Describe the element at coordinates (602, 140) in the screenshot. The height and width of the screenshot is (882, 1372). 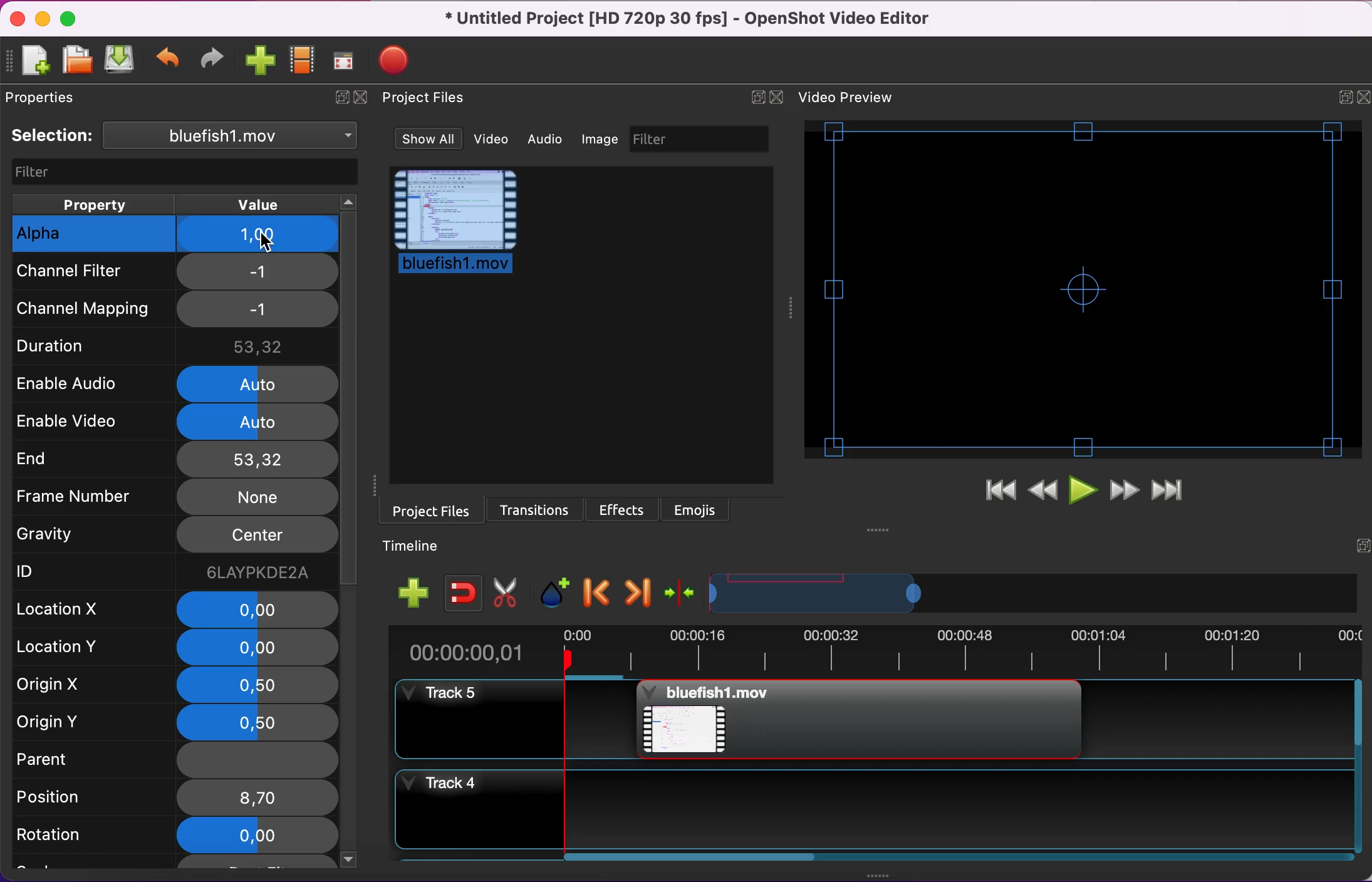
I see `image` at that location.